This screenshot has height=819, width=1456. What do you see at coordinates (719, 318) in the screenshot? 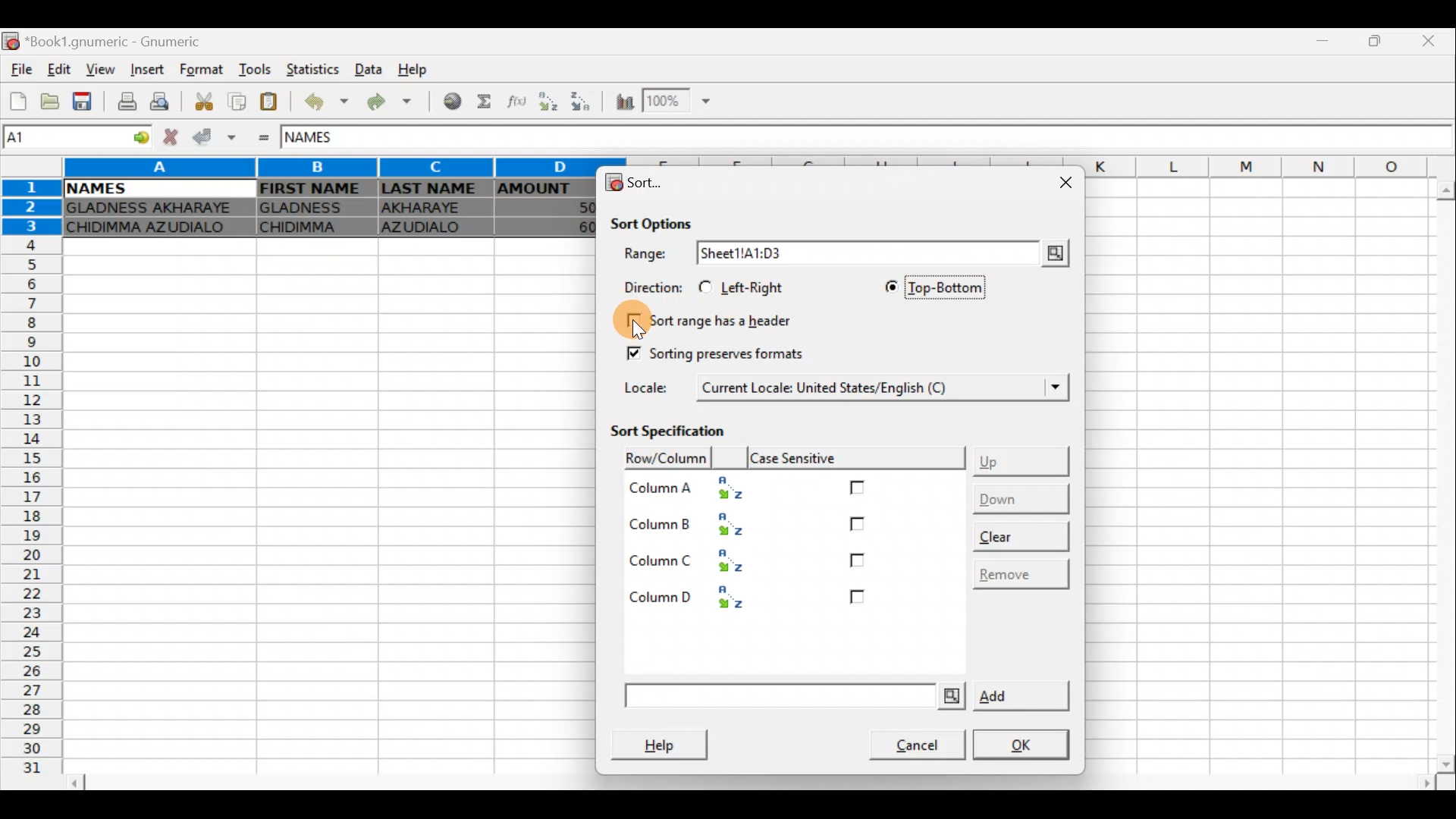
I see `Sort range has a header` at bounding box center [719, 318].